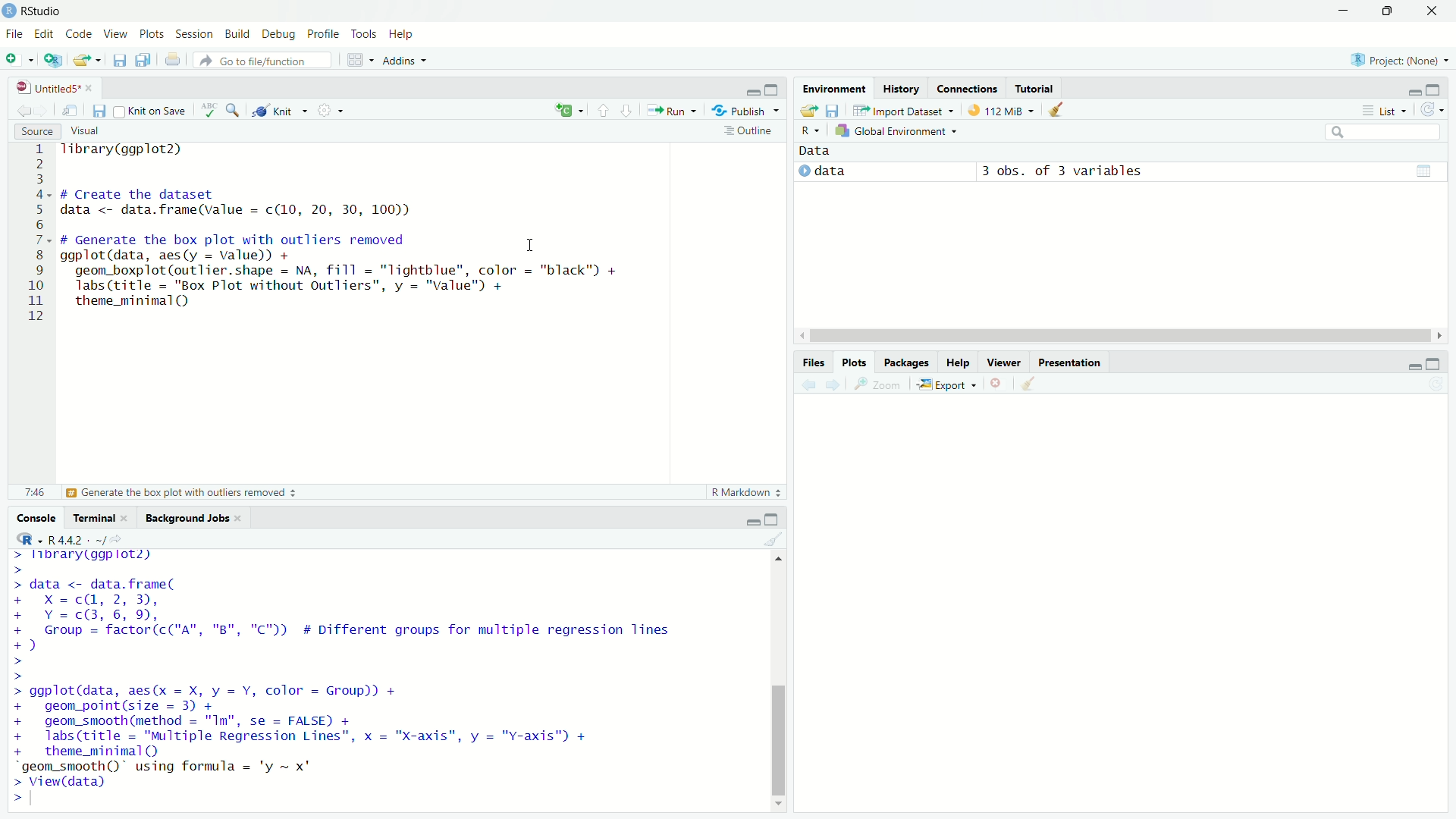  Describe the element at coordinates (171, 61) in the screenshot. I see `print` at that location.